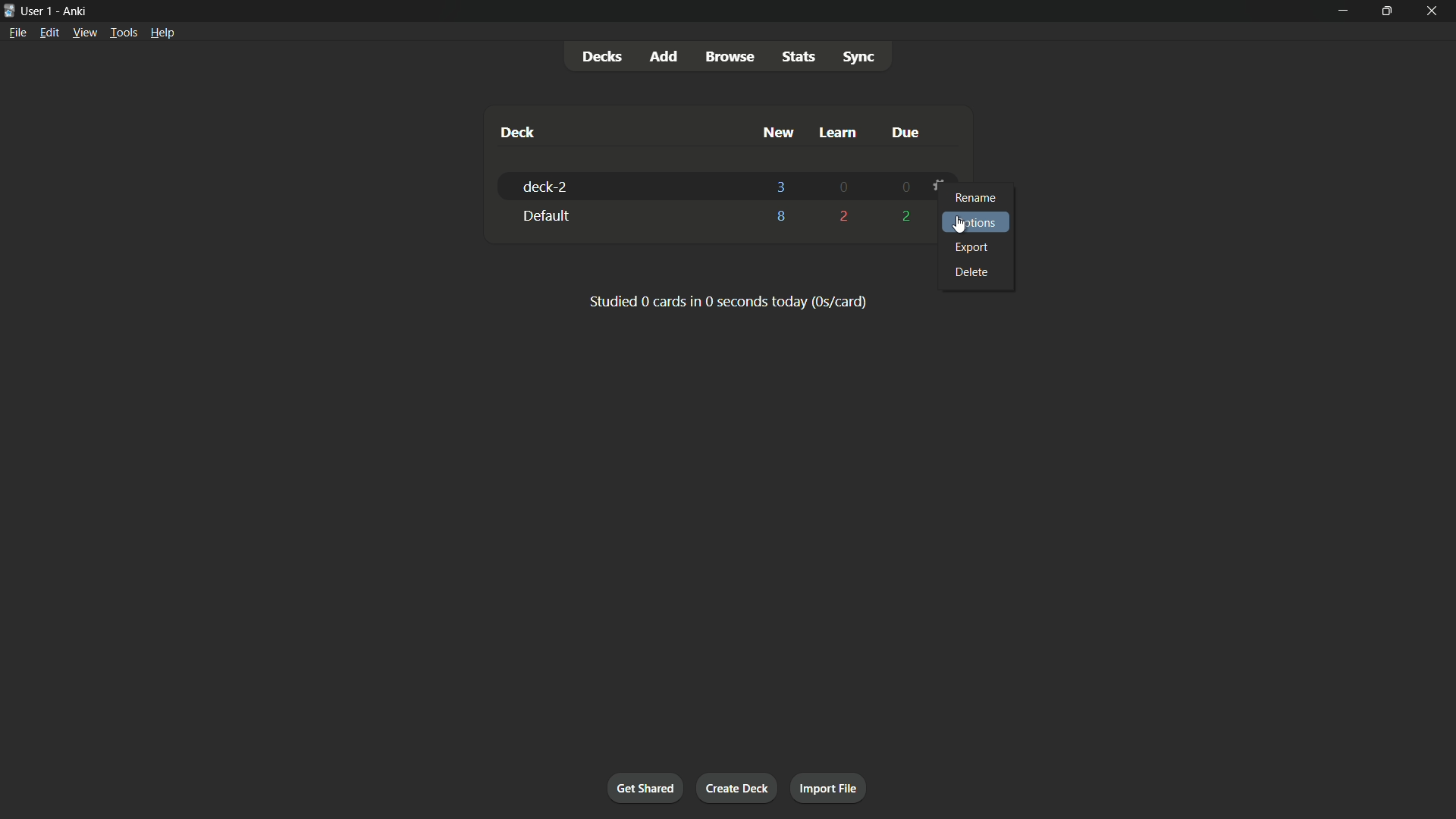  I want to click on 3, so click(780, 186).